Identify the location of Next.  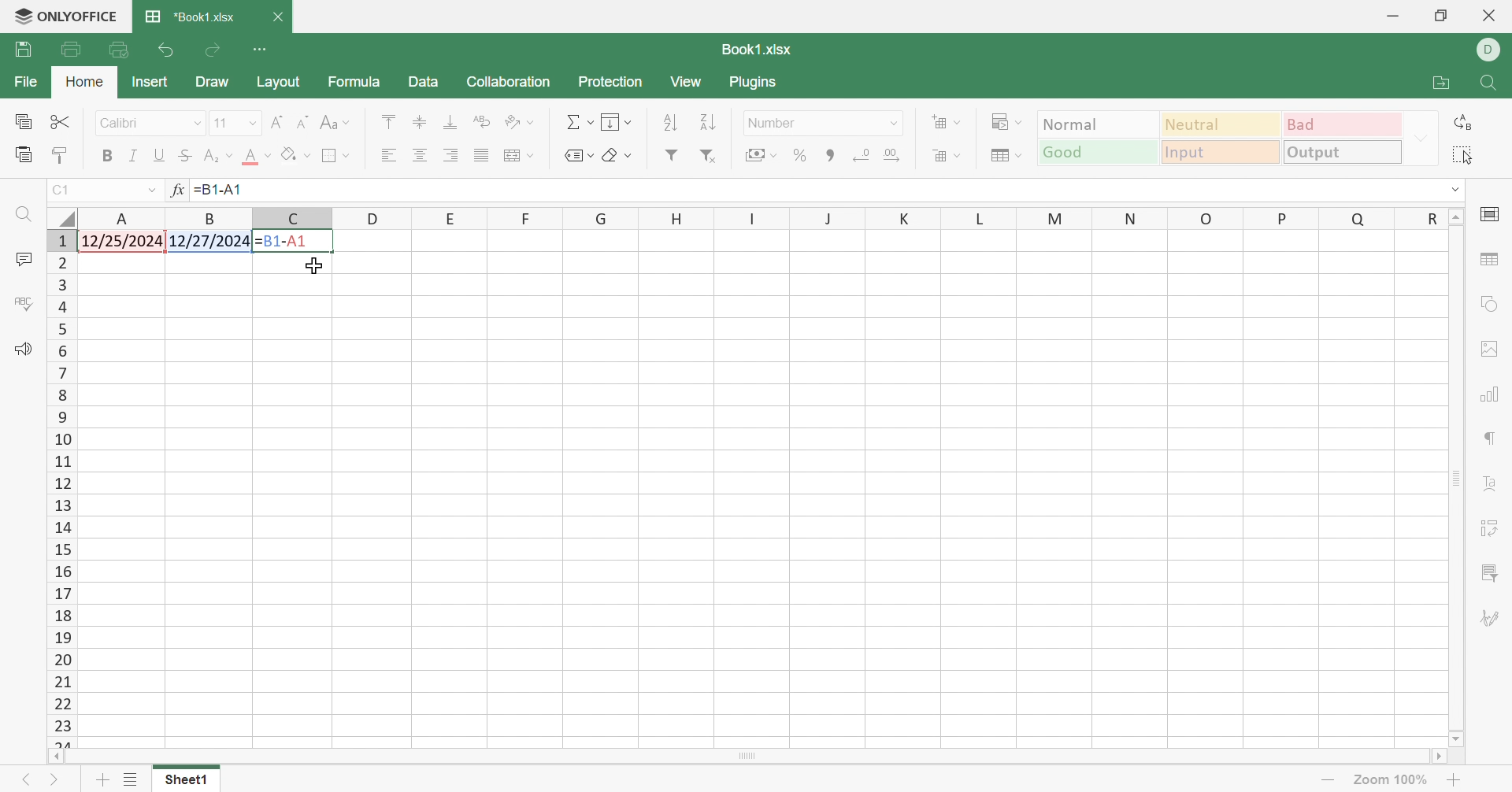
(55, 777).